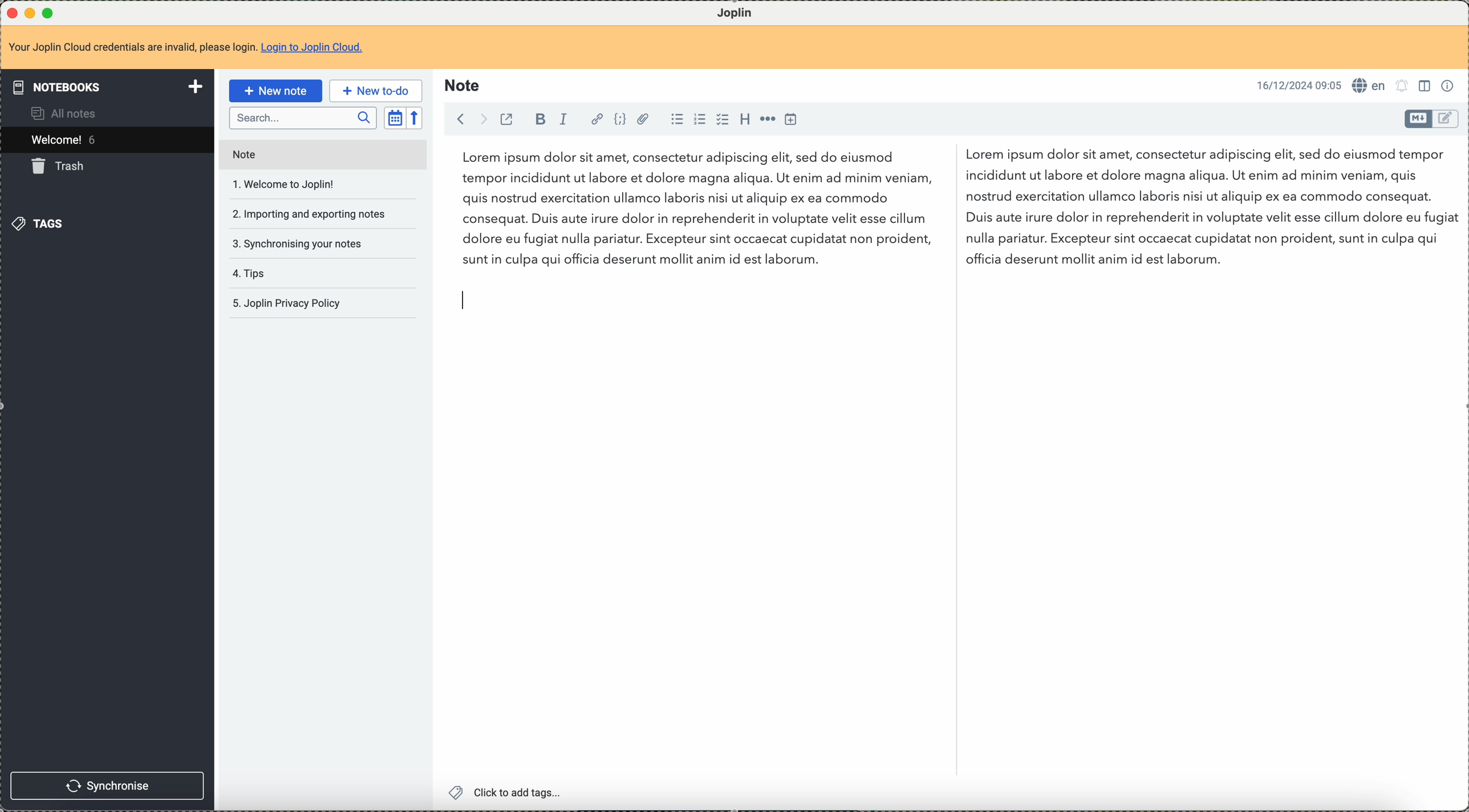 The image size is (1469, 812). What do you see at coordinates (620, 118) in the screenshot?
I see `code` at bounding box center [620, 118].